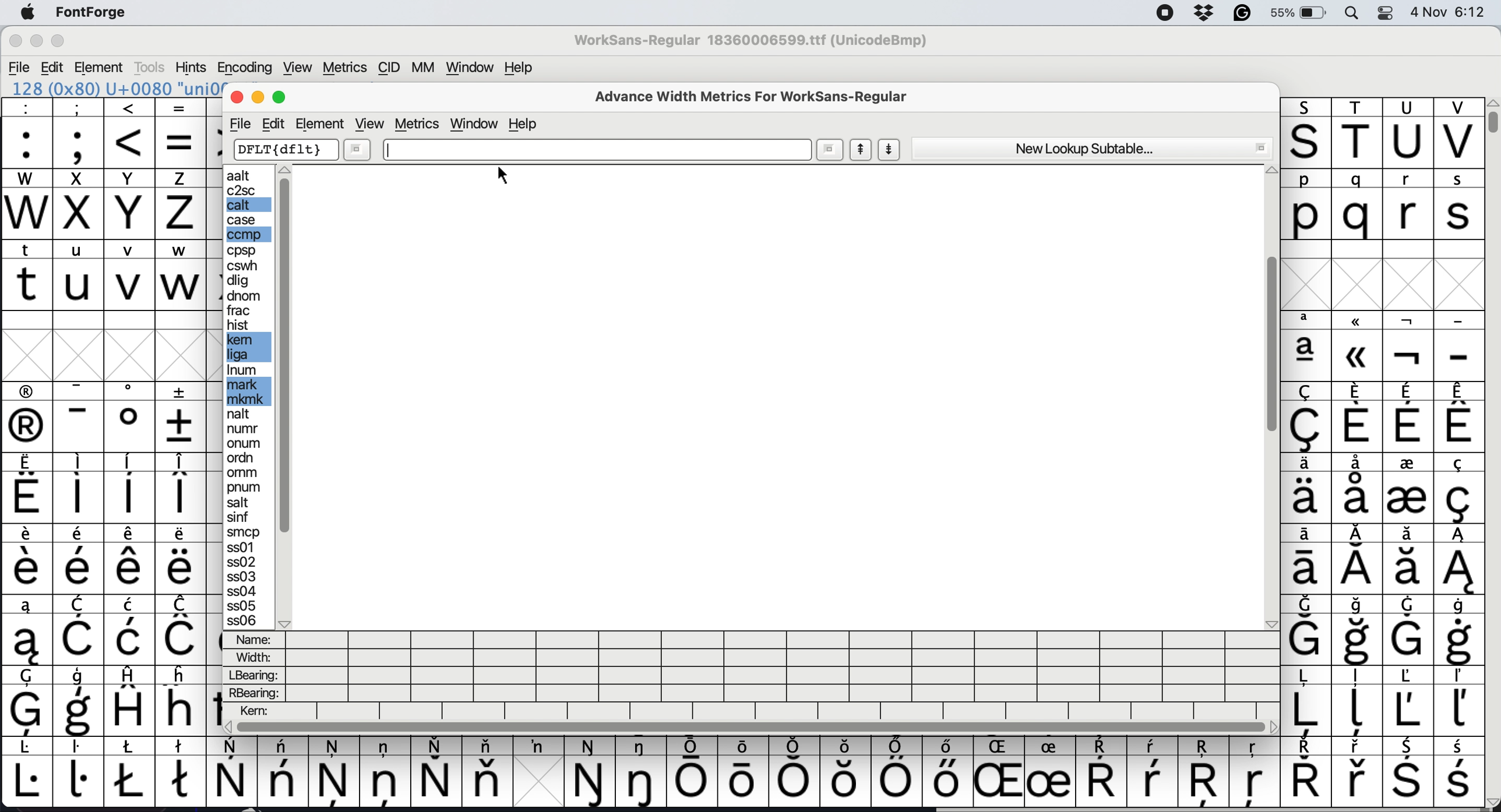 This screenshot has width=1501, height=812. What do you see at coordinates (1379, 319) in the screenshot?
I see `special characters` at bounding box center [1379, 319].